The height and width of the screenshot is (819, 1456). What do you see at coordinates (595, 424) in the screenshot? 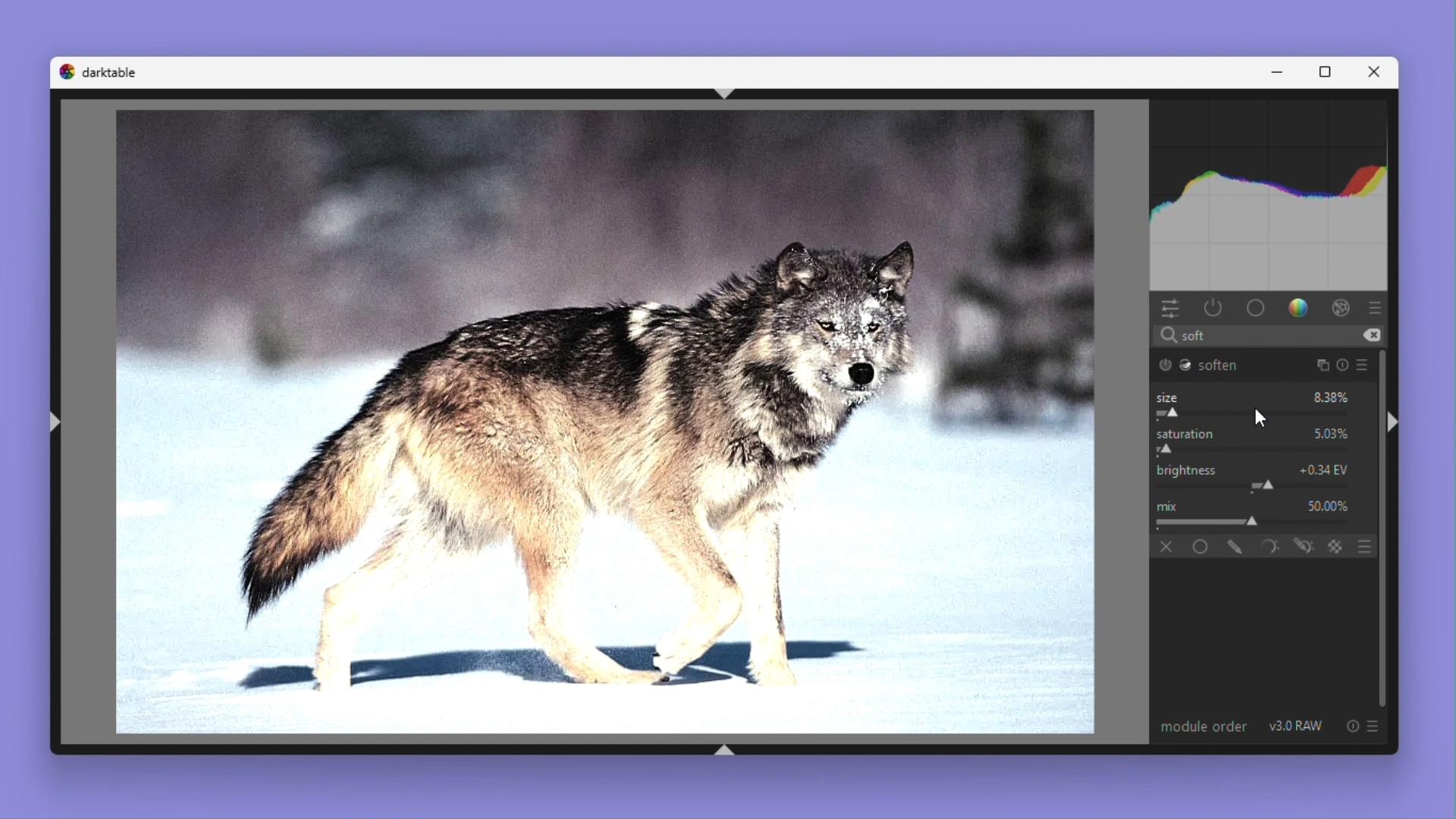
I see `Image` at bounding box center [595, 424].